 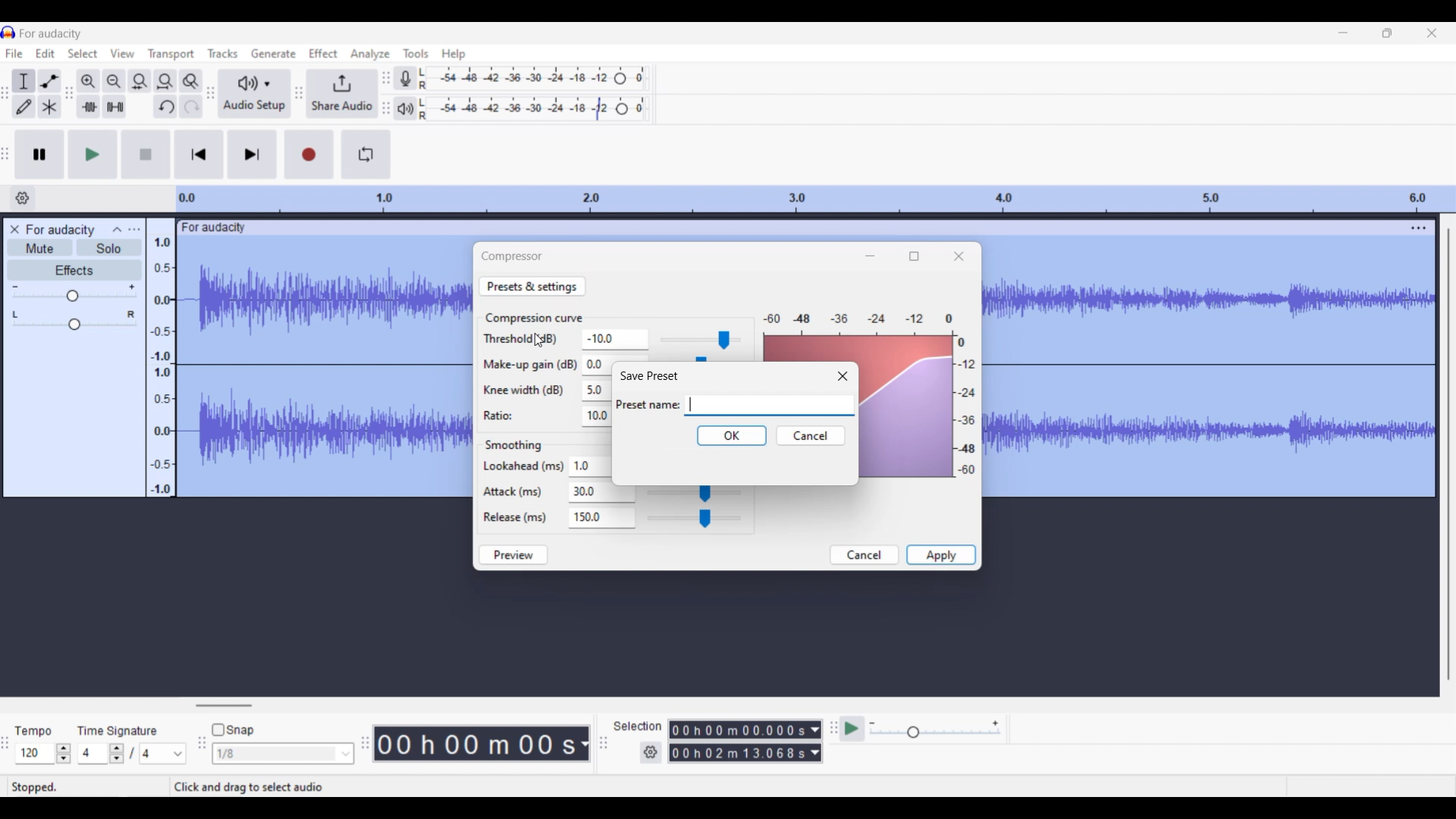 I want to click on Text box for attack, so click(x=591, y=492).